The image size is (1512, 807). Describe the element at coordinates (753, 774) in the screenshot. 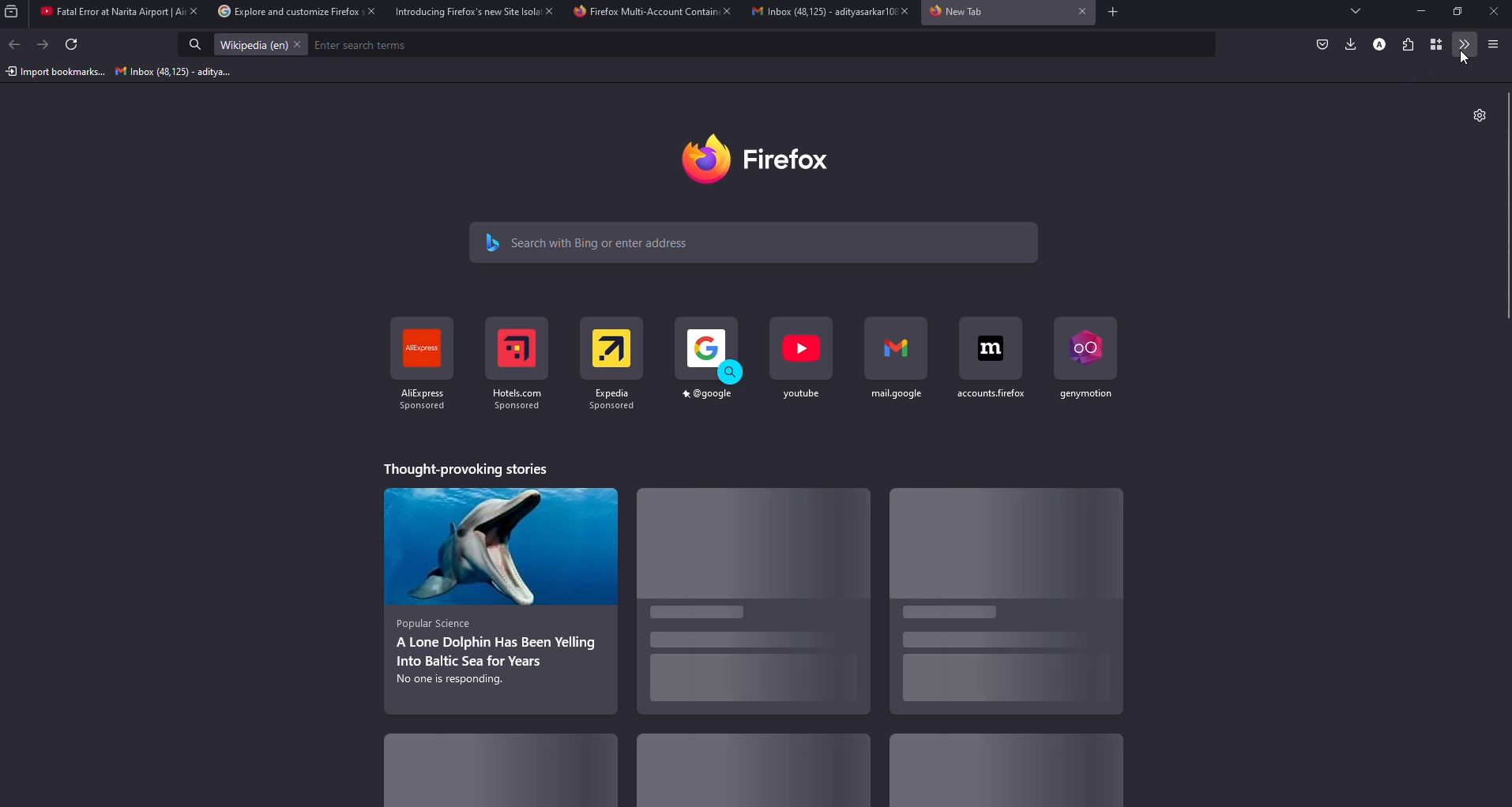

I see `stories` at that location.